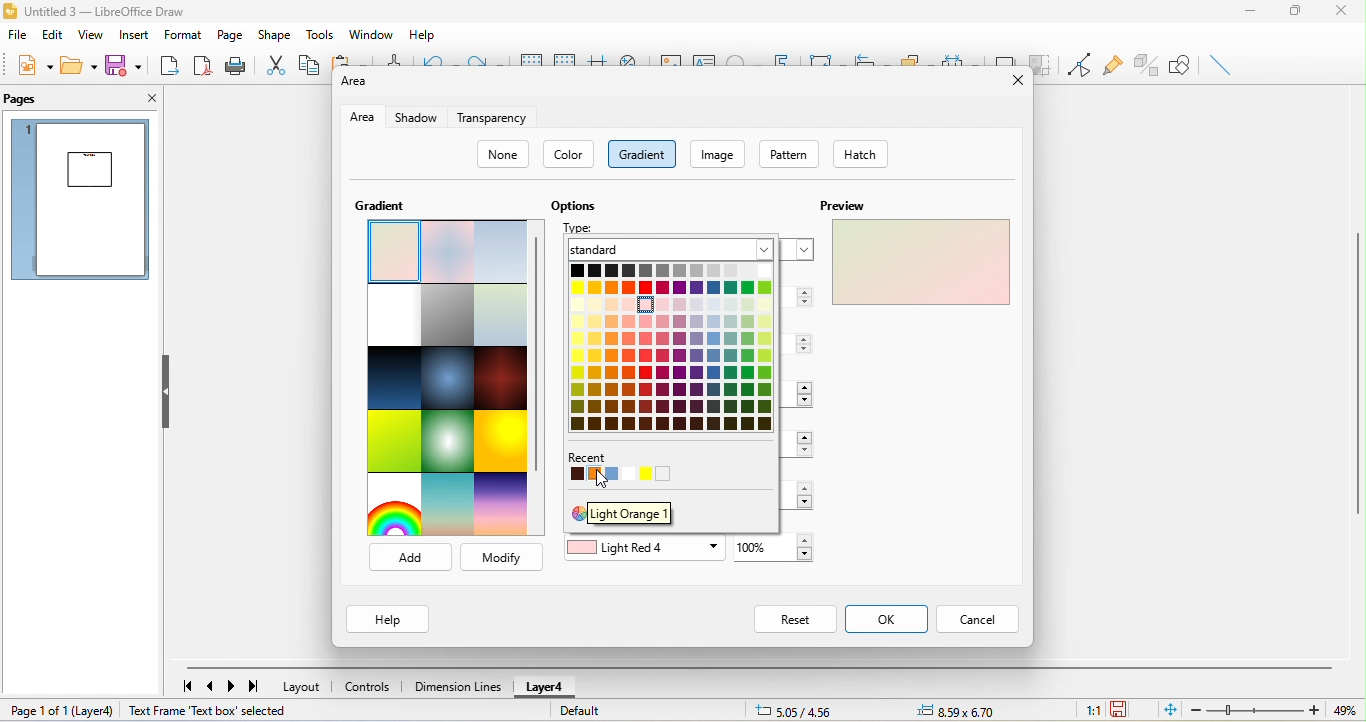 This screenshot has height=722, width=1366. I want to click on show draw function, so click(1185, 65).